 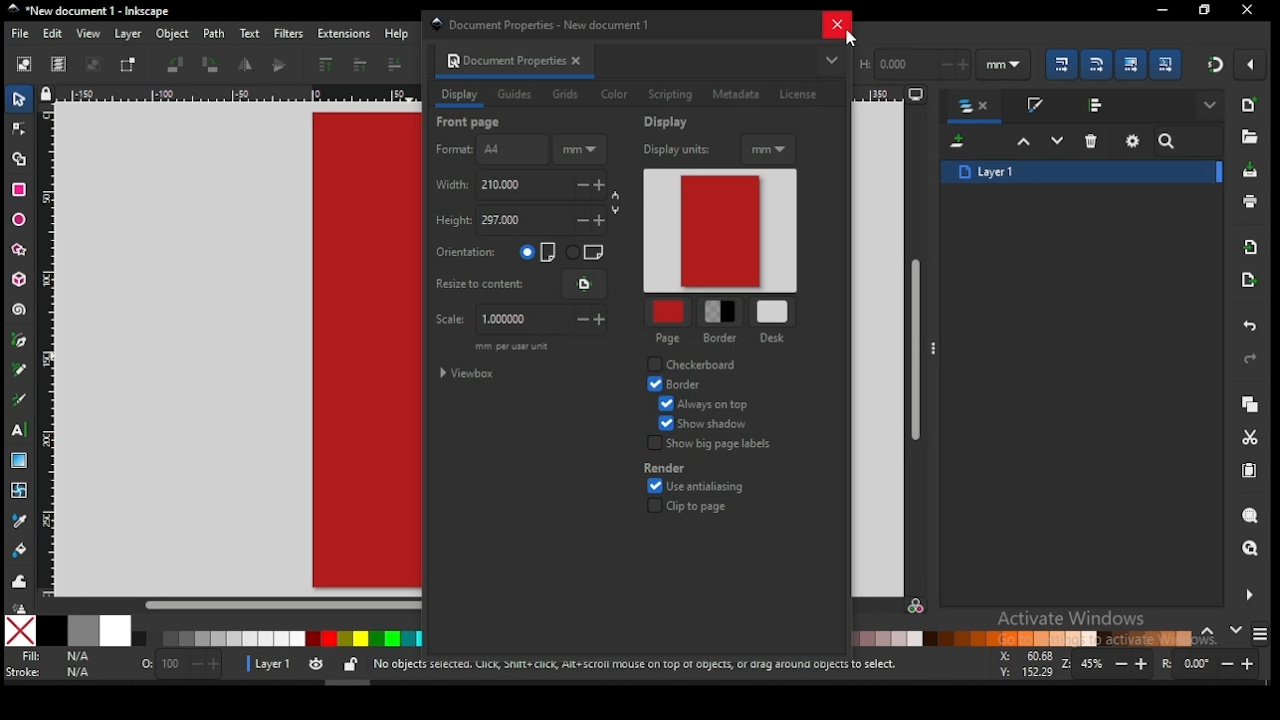 I want to click on metadata, so click(x=737, y=94).